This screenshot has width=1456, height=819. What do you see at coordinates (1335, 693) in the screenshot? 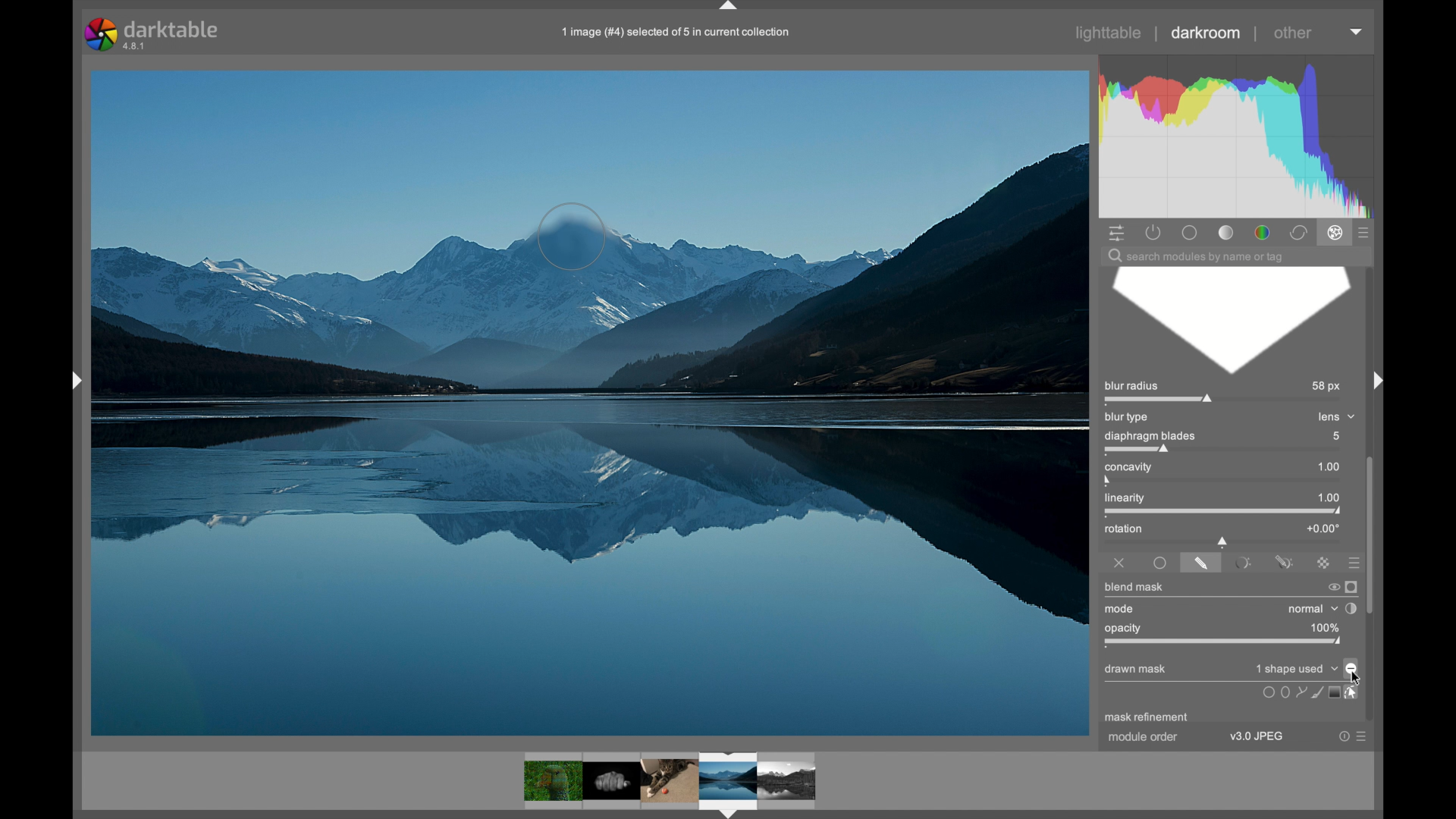
I see `screen` at bounding box center [1335, 693].